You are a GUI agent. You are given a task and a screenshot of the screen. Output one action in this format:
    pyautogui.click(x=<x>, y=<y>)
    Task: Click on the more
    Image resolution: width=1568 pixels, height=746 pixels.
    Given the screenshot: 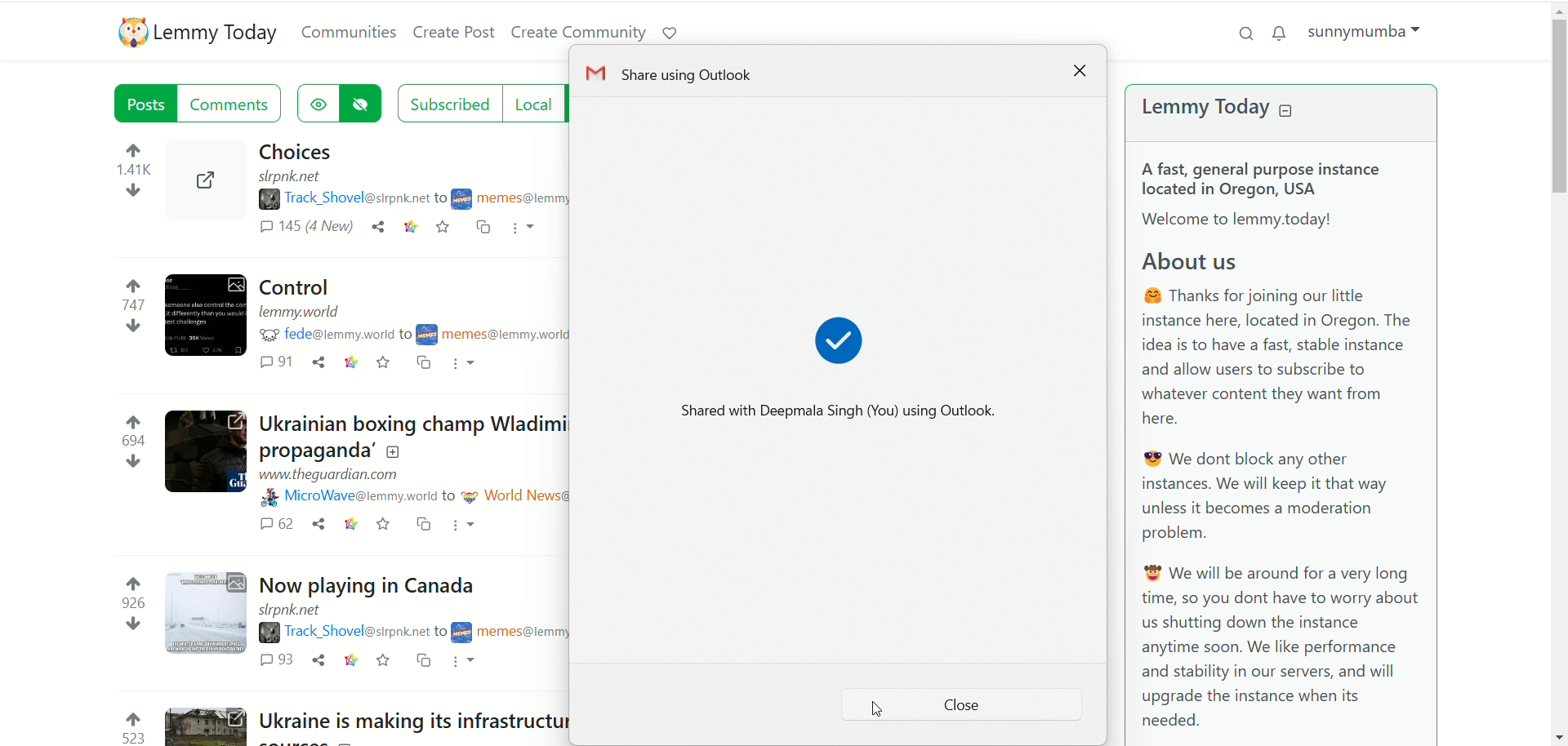 What is the action you would take?
    pyautogui.click(x=462, y=662)
    